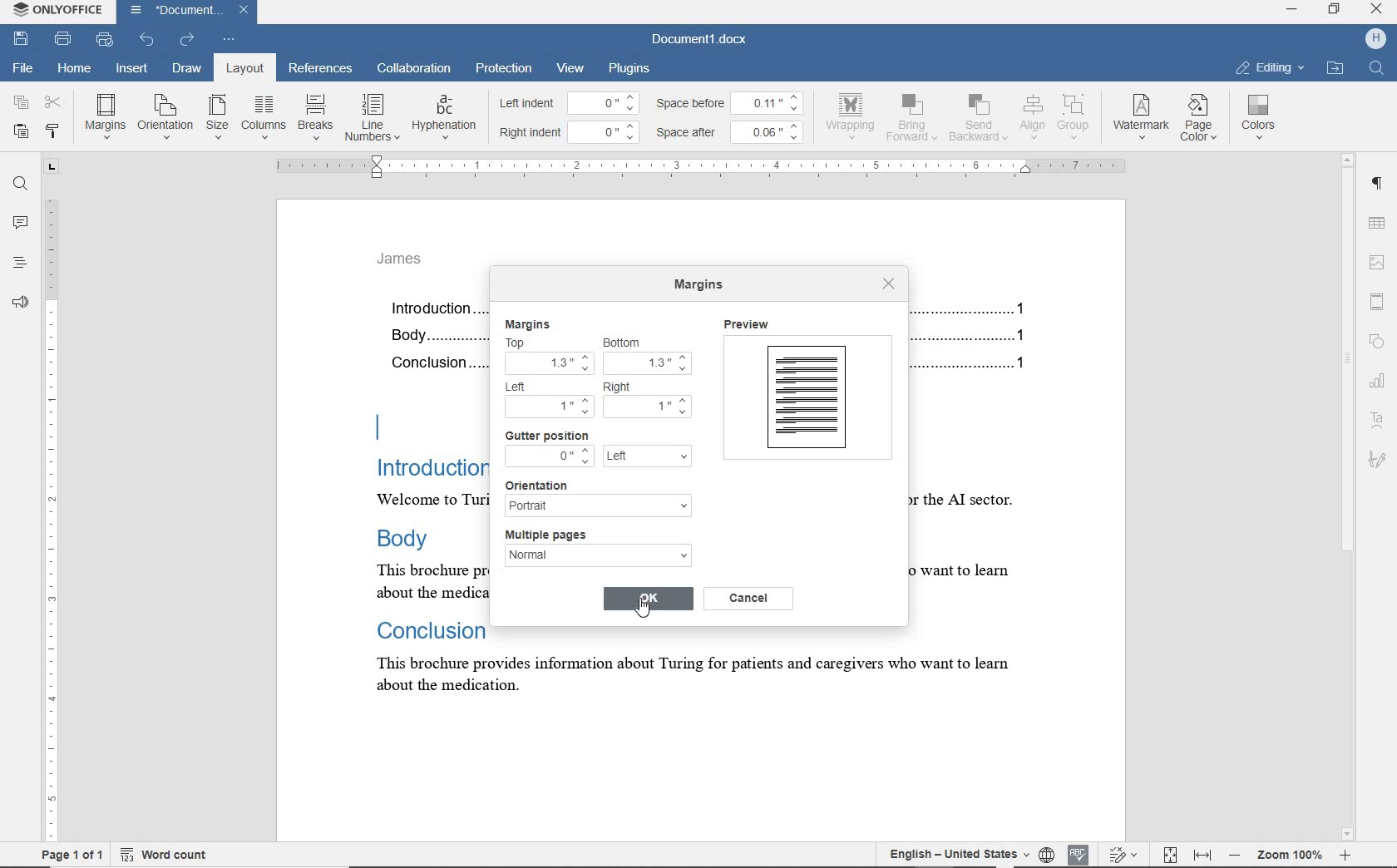 The height and width of the screenshot is (868, 1397). Describe the element at coordinates (693, 103) in the screenshot. I see `space before` at that location.